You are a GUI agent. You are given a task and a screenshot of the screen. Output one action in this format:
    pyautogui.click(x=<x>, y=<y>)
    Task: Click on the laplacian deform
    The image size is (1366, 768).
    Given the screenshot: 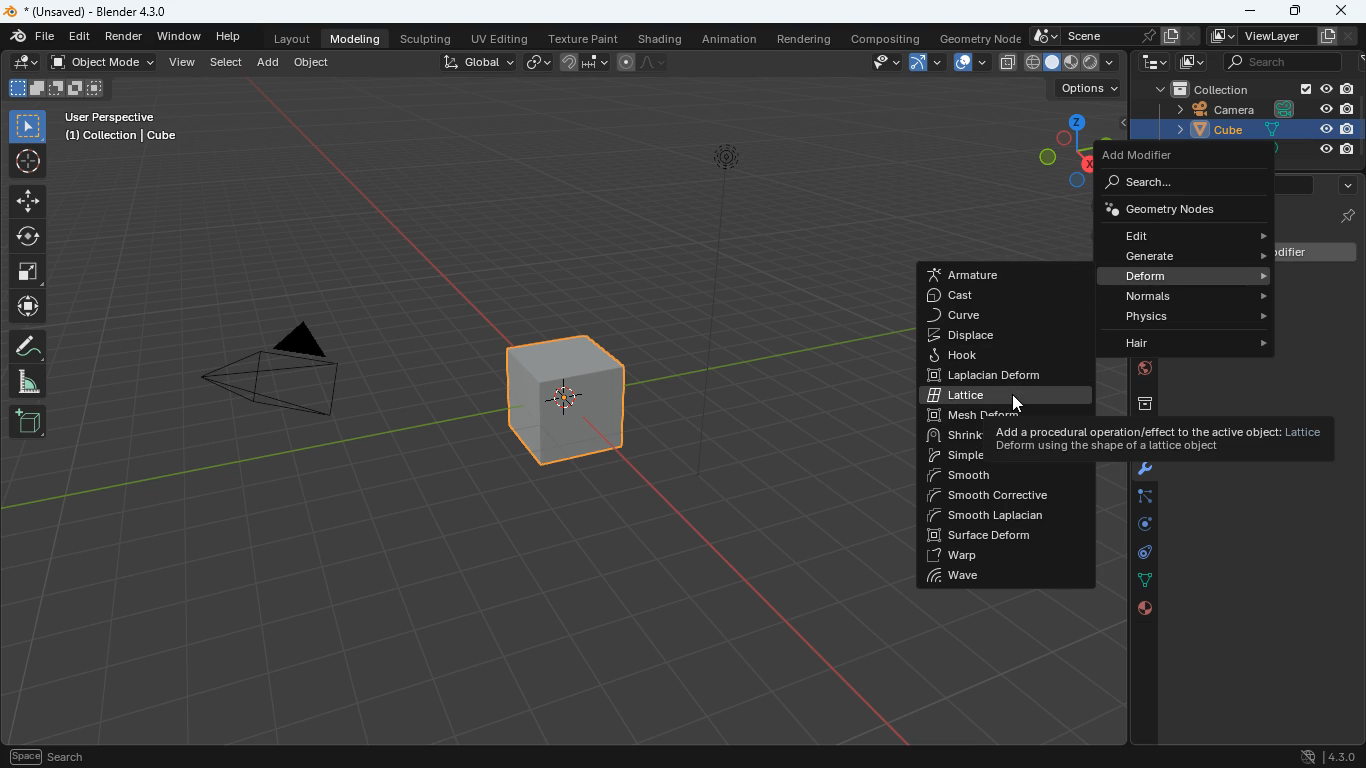 What is the action you would take?
    pyautogui.click(x=1003, y=376)
    